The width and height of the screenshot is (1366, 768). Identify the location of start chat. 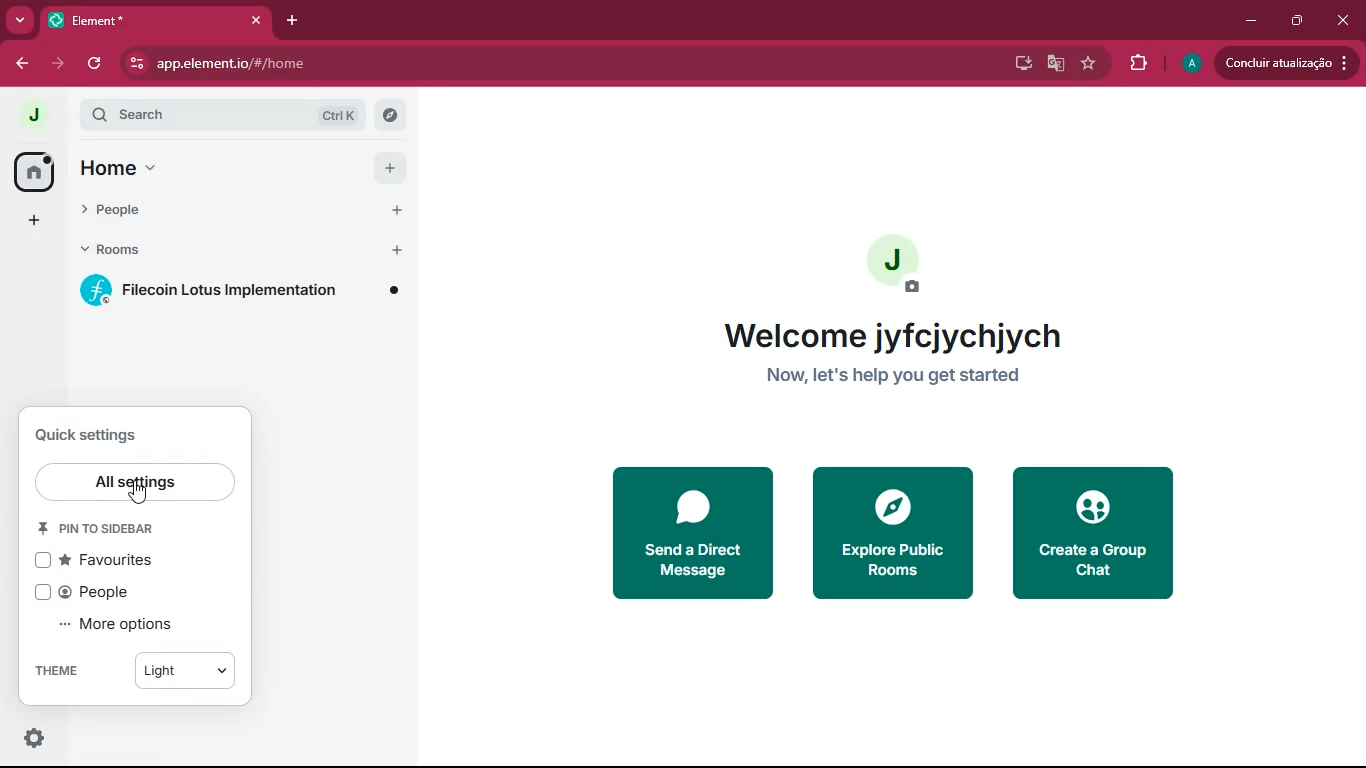
(398, 210).